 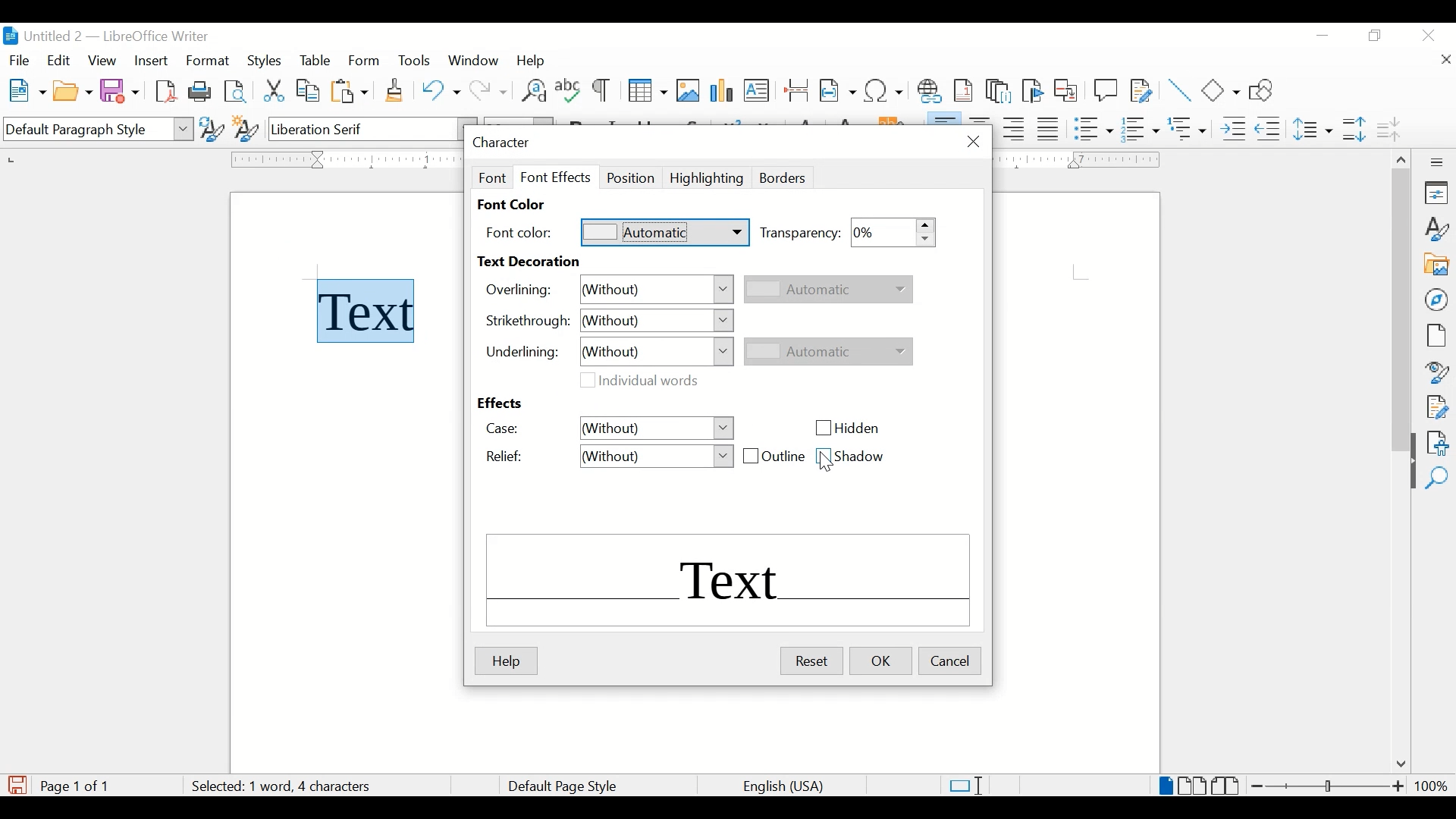 What do you see at coordinates (785, 787) in the screenshot?
I see `language` at bounding box center [785, 787].